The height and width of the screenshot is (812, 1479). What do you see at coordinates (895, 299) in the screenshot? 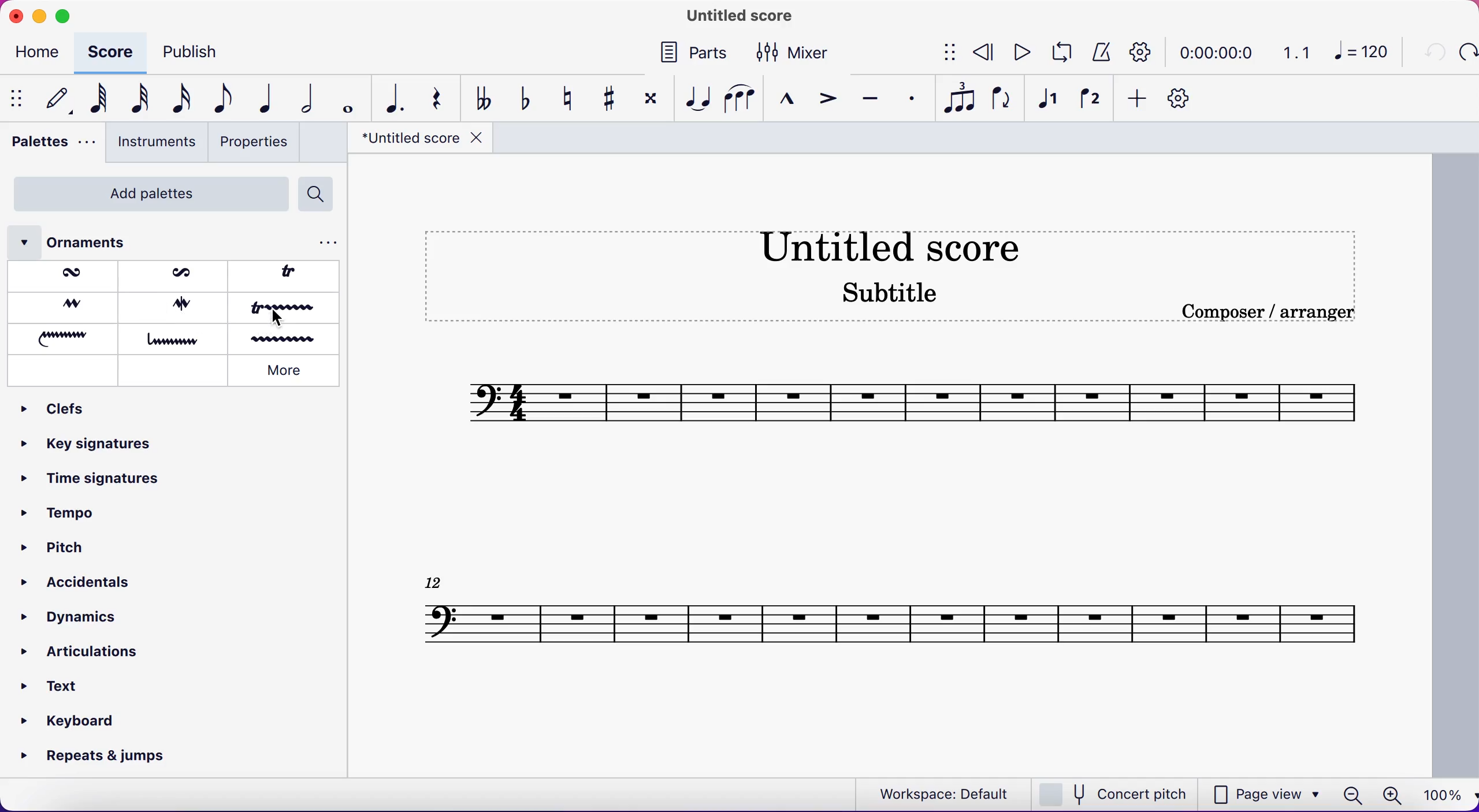
I see `score subtitle` at bounding box center [895, 299].